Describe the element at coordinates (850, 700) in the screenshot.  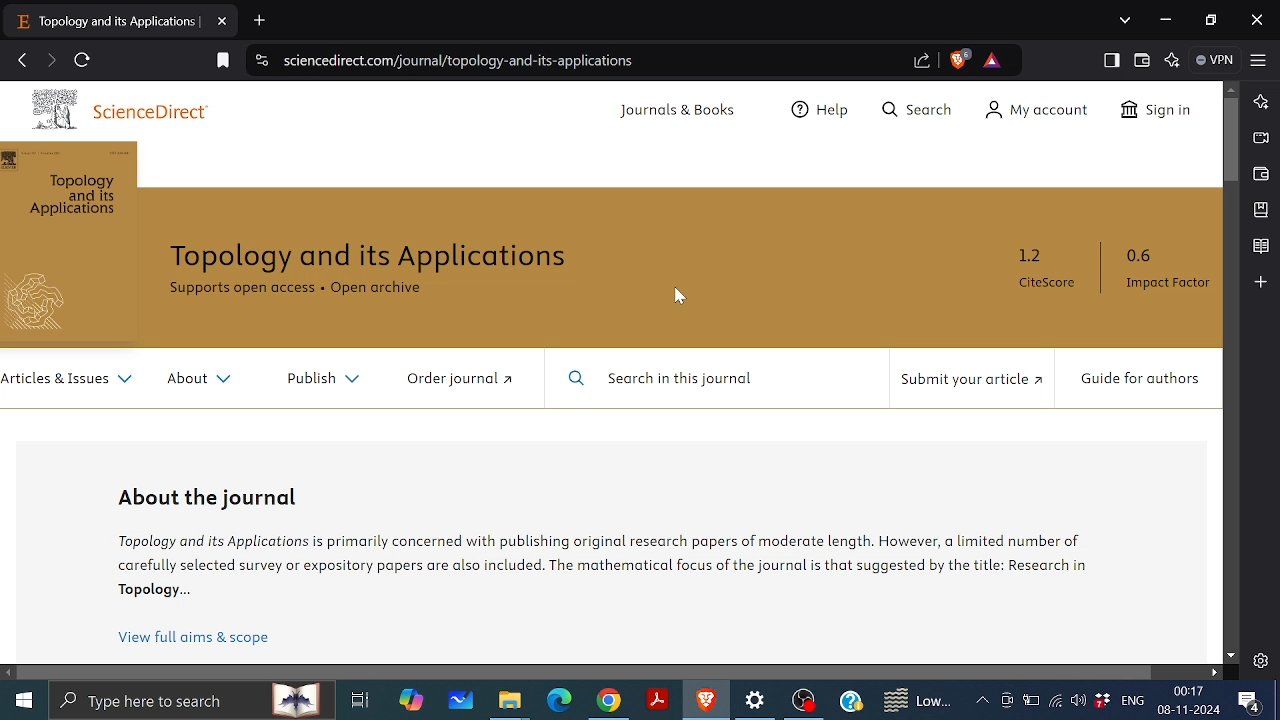
I see `Help` at that location.